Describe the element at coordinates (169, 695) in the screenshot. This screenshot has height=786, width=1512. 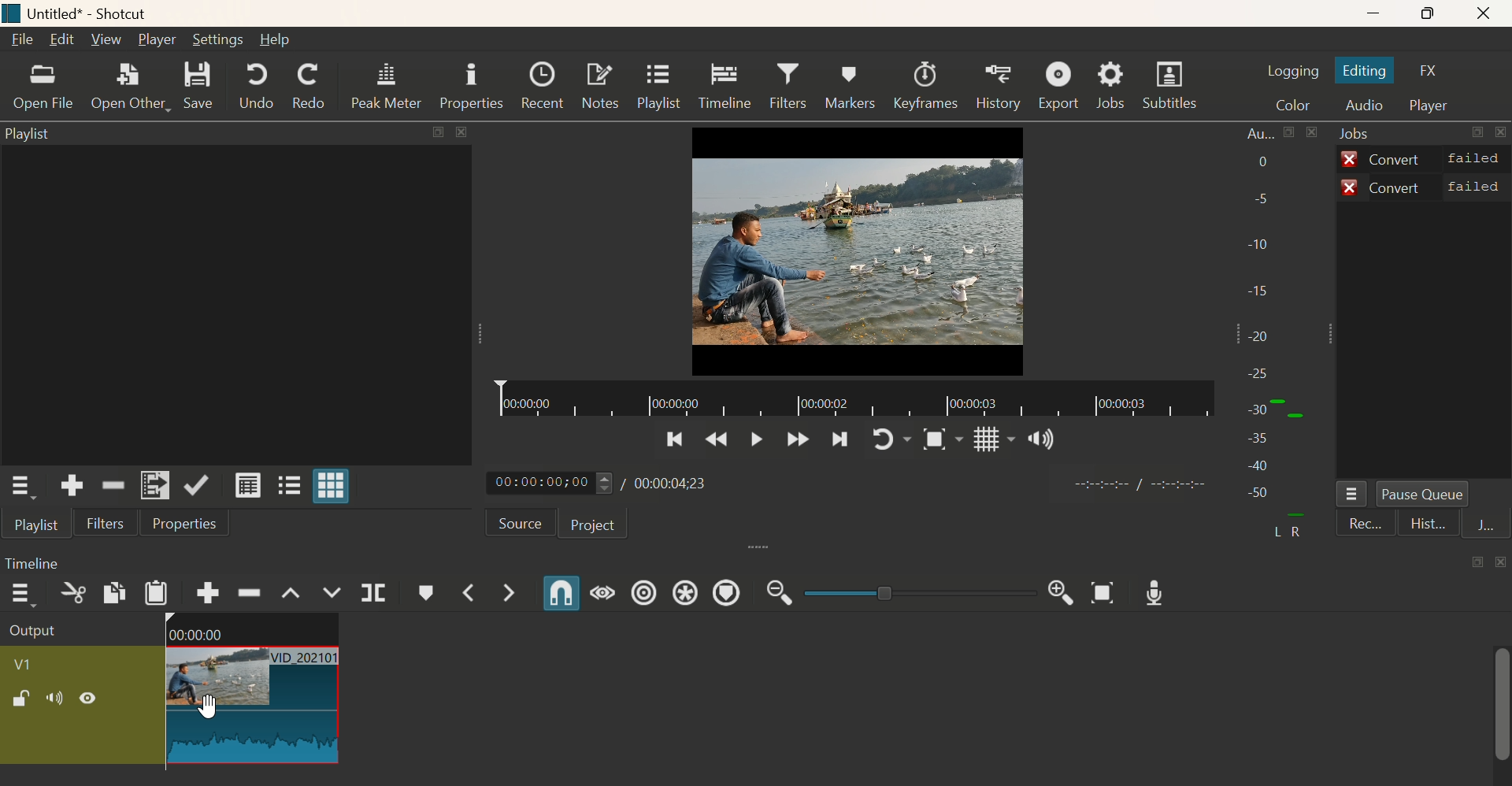
I see `Clip` at that location.